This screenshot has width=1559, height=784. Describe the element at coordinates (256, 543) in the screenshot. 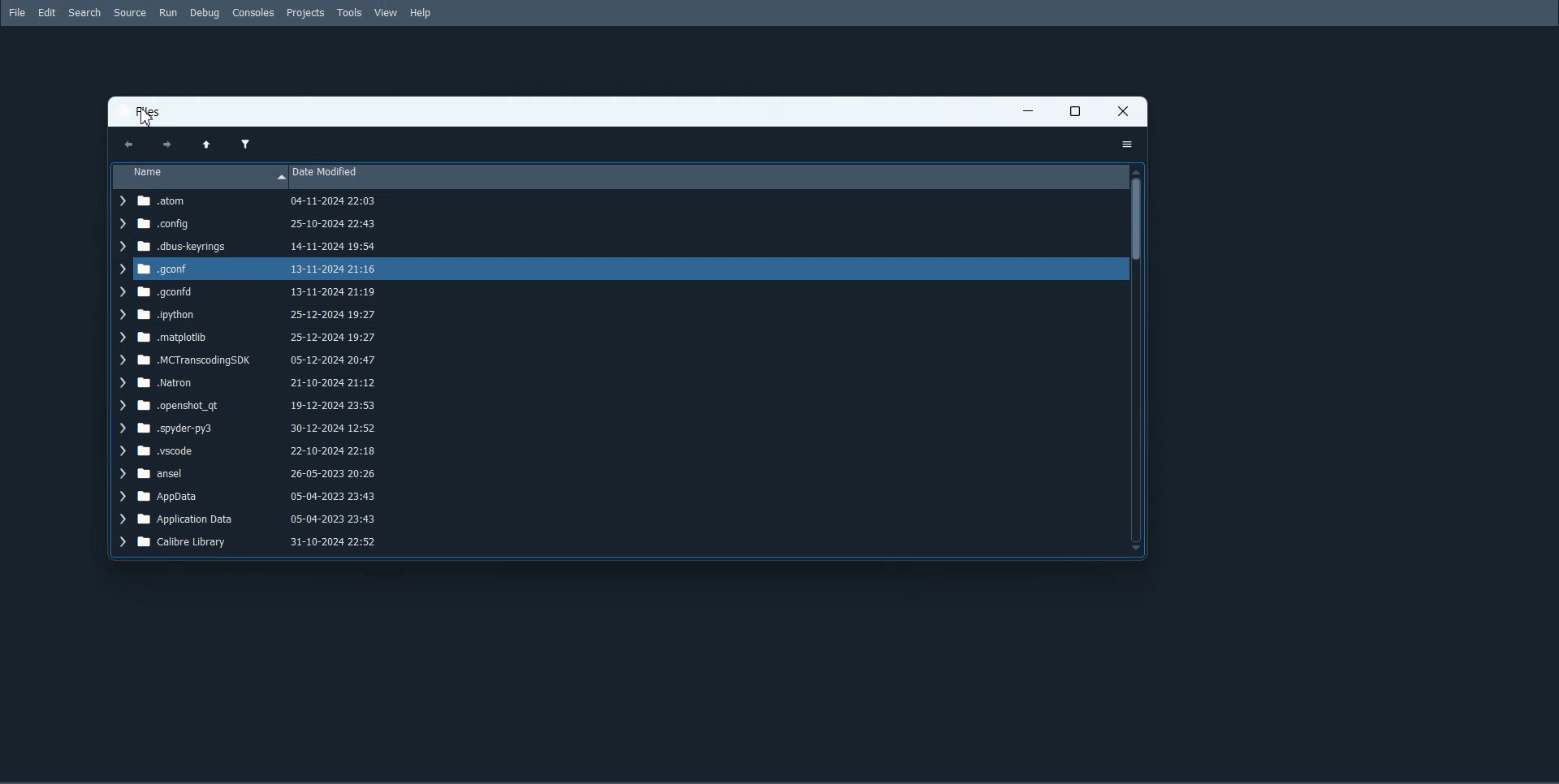

I see `Calibre Library 31-10-2024 22:52` at that location.